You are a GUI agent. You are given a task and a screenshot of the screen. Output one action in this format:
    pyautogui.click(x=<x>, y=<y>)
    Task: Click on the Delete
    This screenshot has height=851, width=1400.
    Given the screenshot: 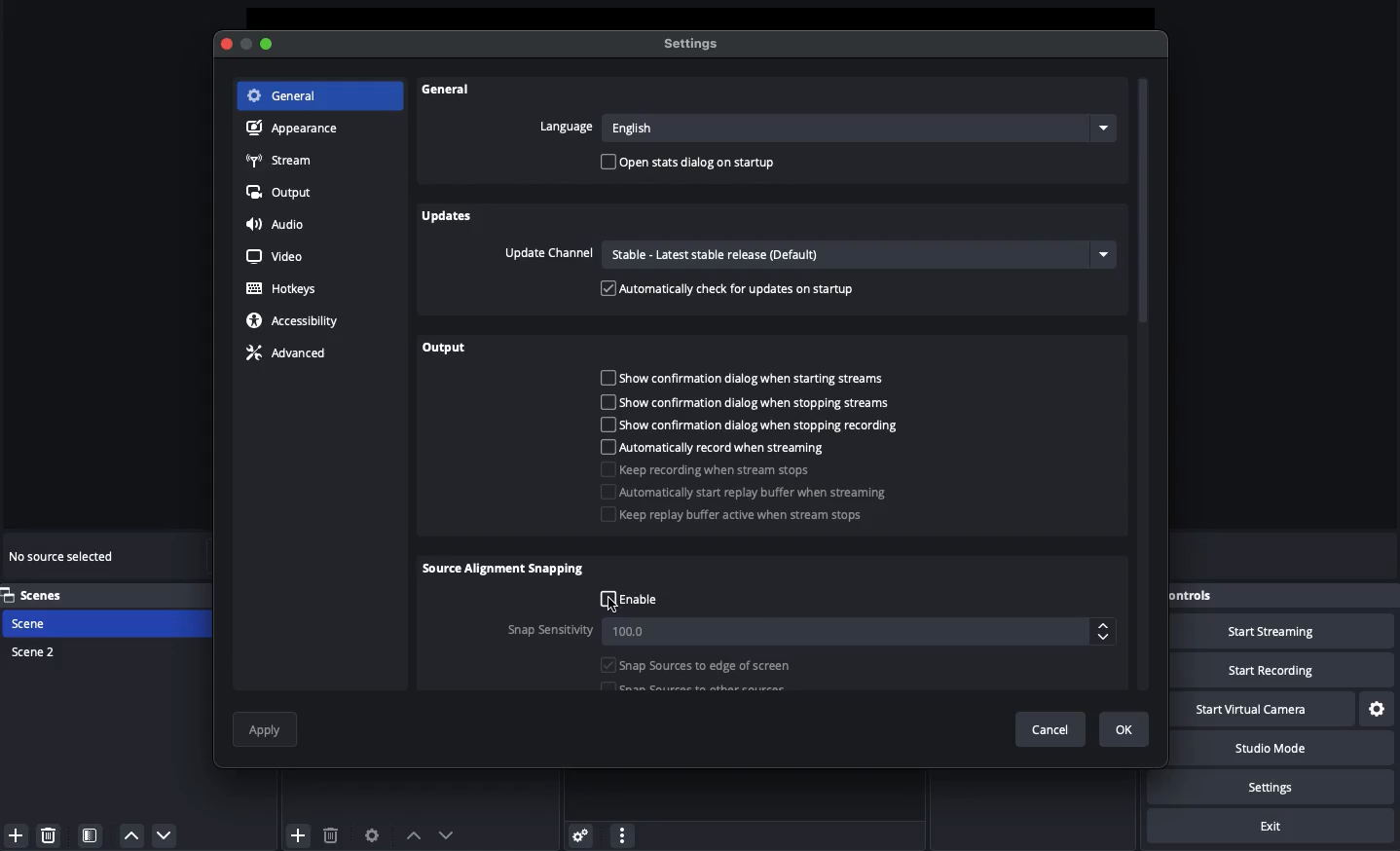 What is the action you would take?
    pyautogui.click(x=332, y=832)
    